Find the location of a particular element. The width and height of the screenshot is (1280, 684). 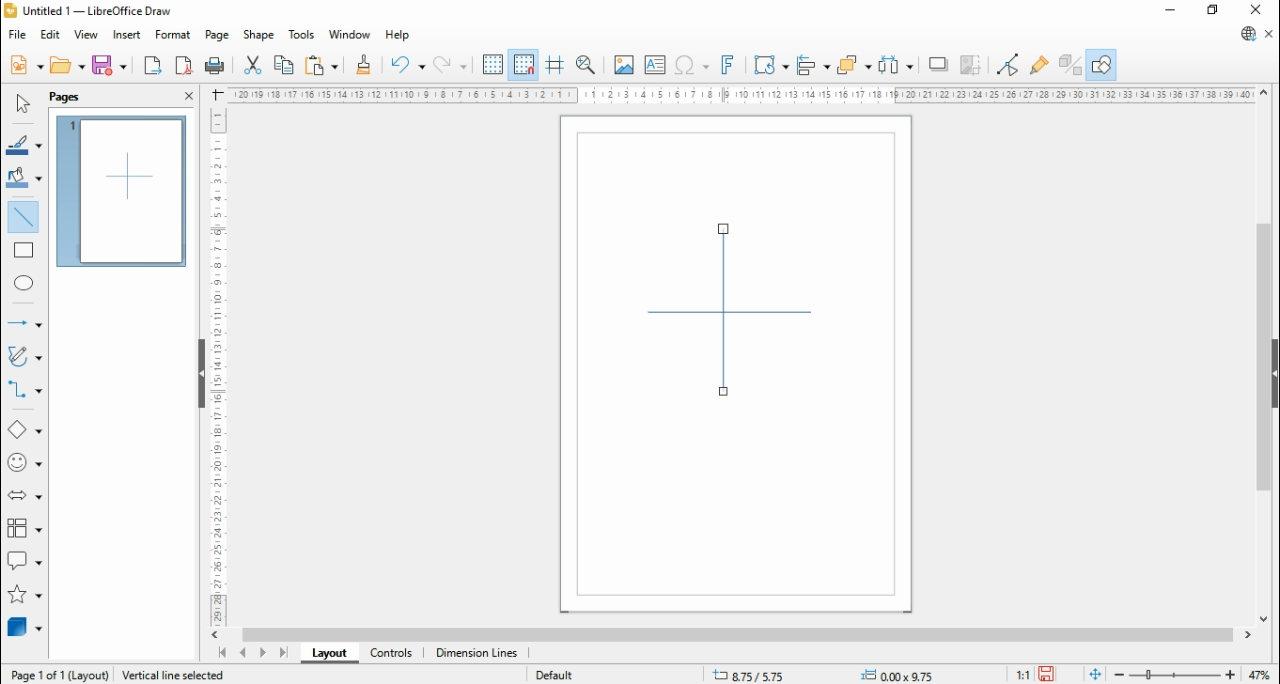

fill color is located at coordinates (24, 177).